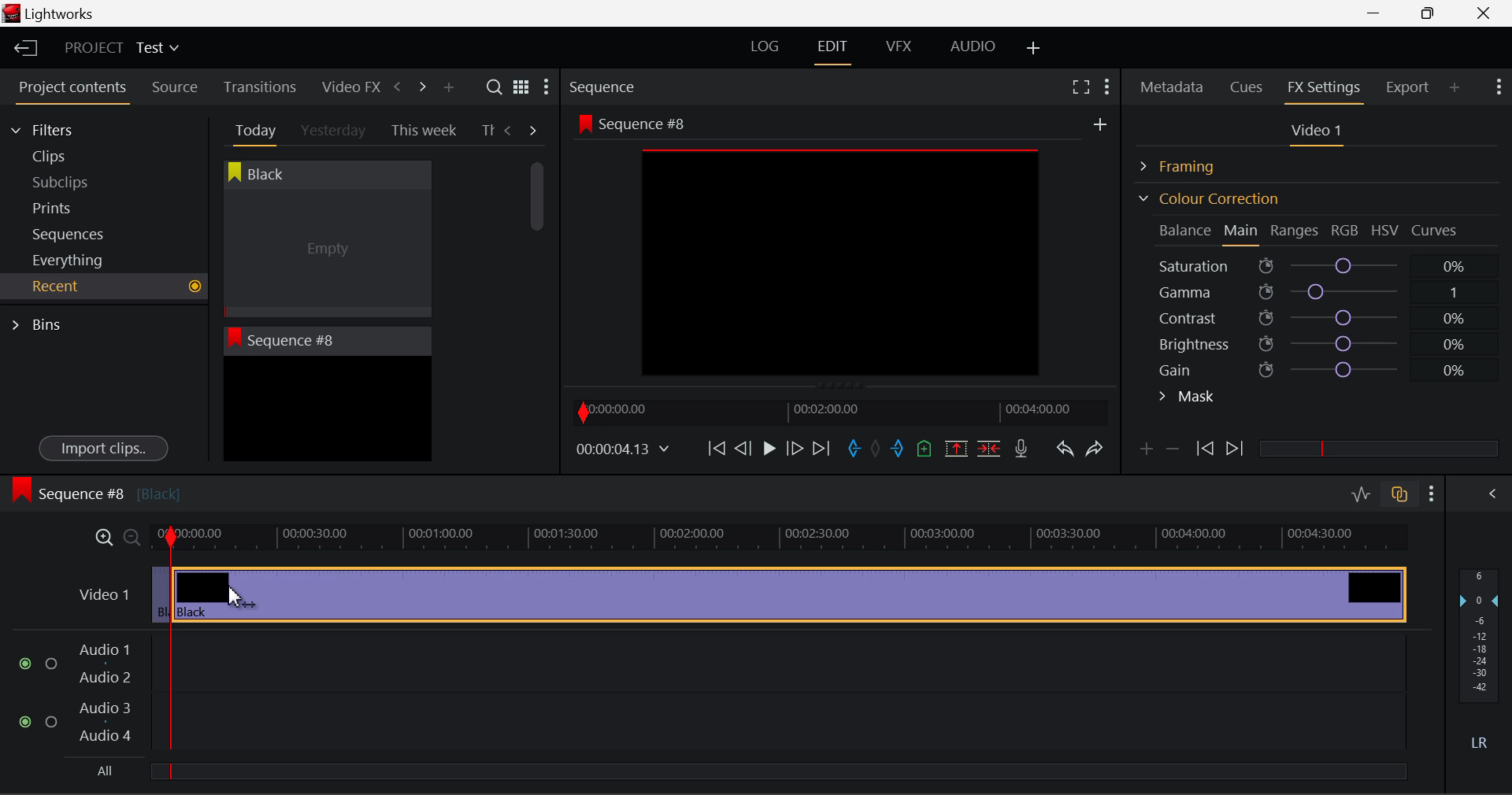  What do you see at coordinates (1362, 492) in the screenshot?
I see `Toggle audio editing levels` at bounding box center [1362, 492].